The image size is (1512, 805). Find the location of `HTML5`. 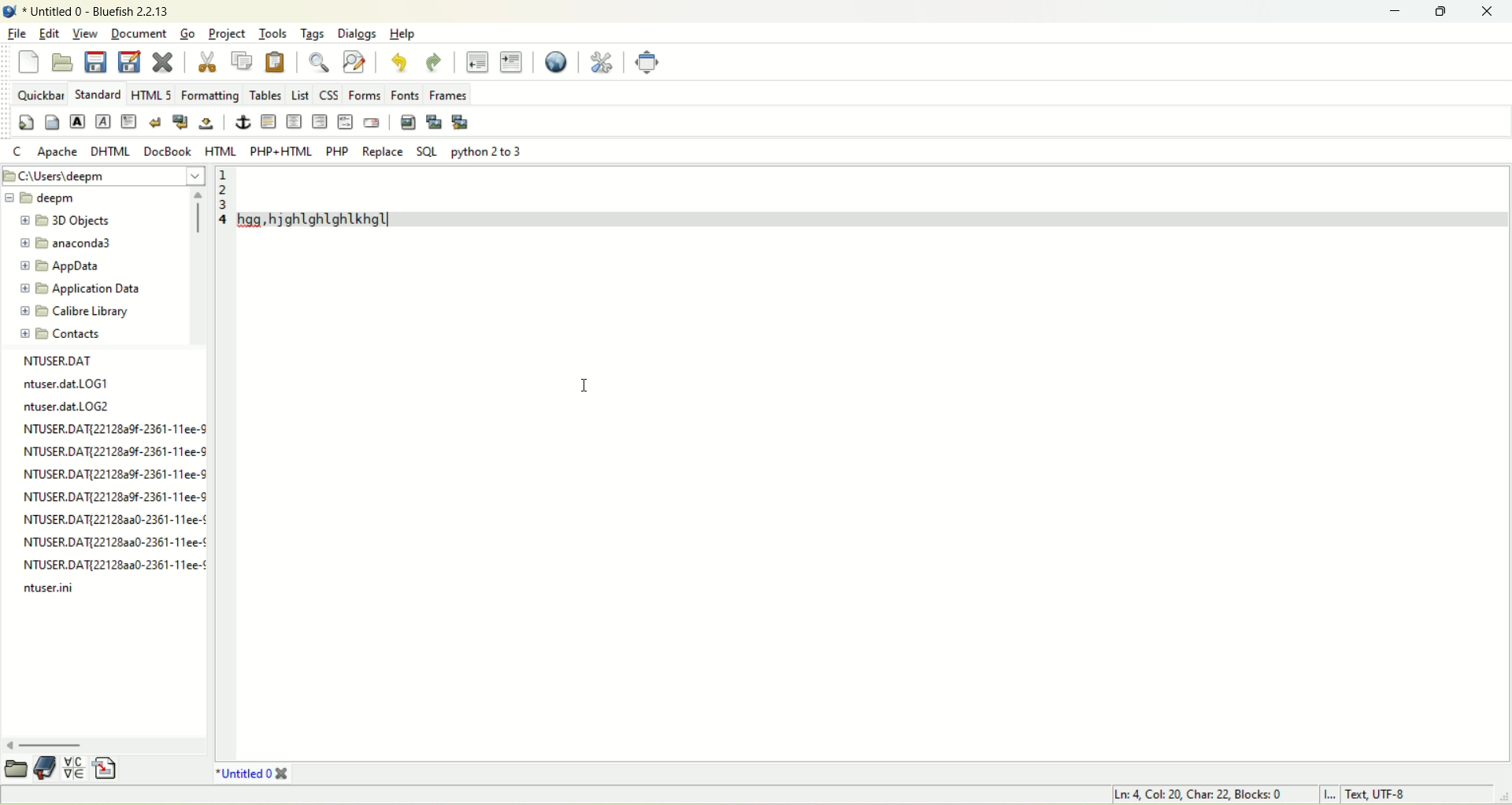

HTML5 is located at coordinates (150, 94).